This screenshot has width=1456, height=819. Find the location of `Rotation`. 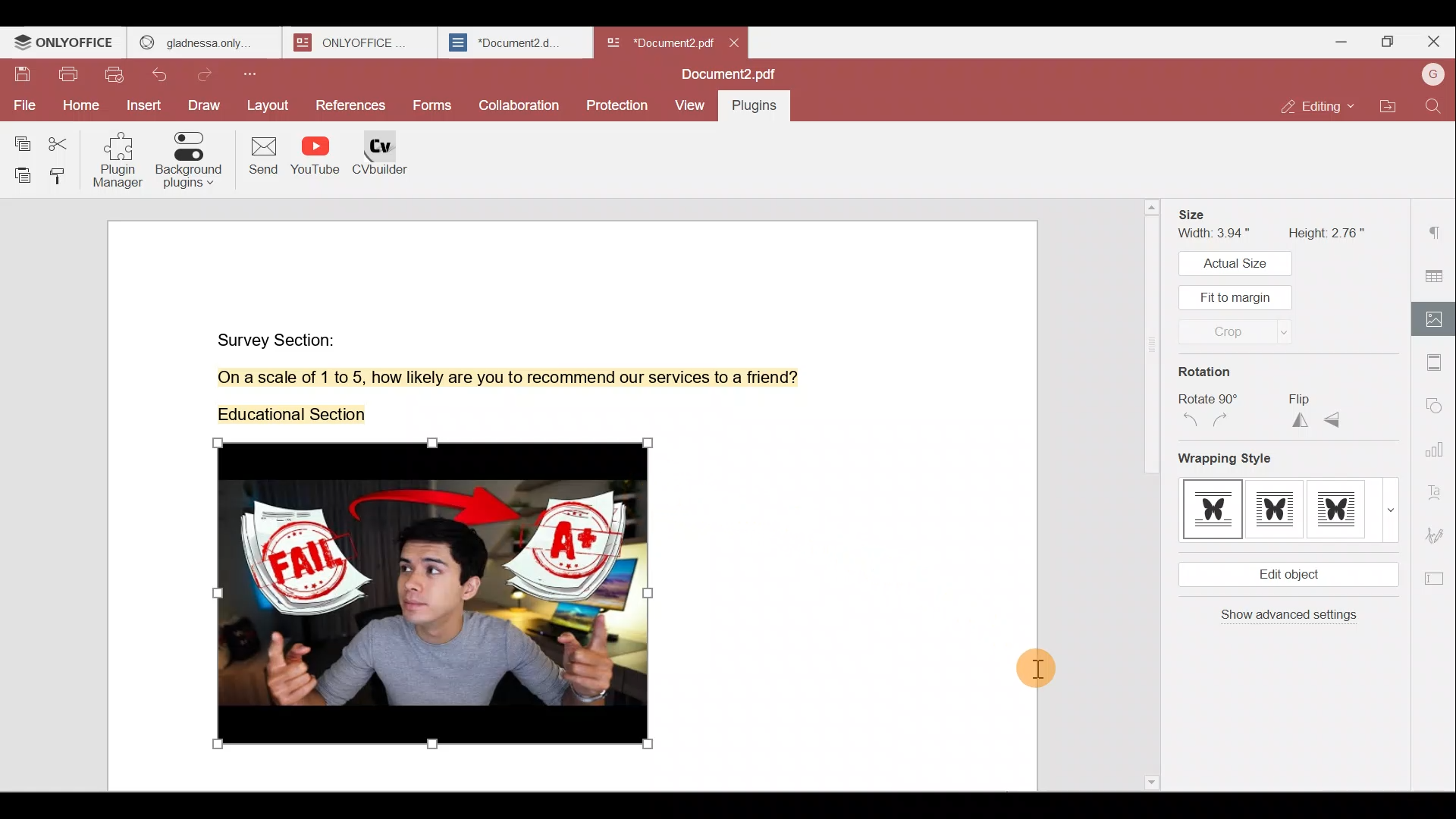

Rotation is located at coordinates (1210, 370).